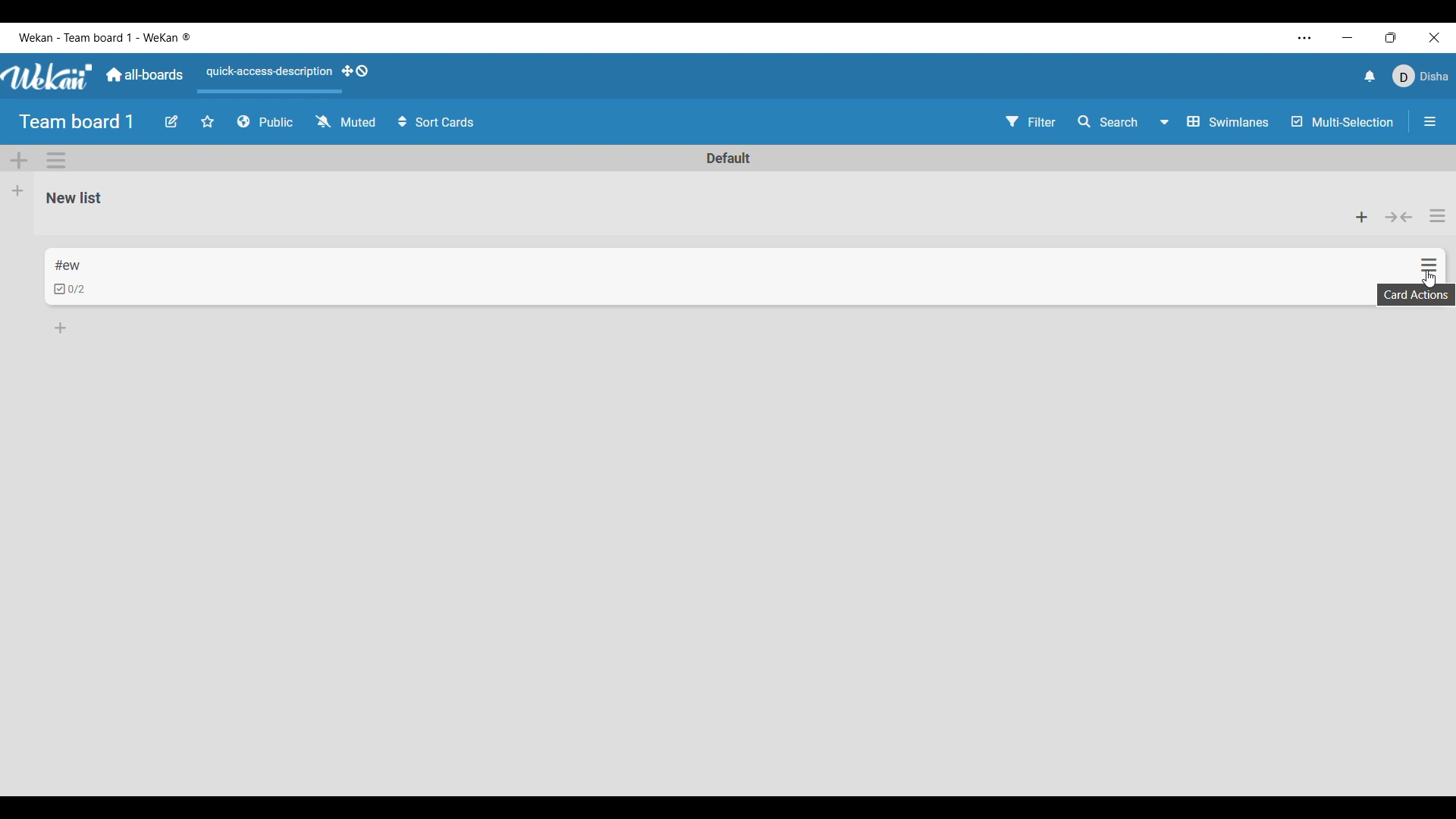 Image resolution: width=1456 pixels, height=819 pixels. Describe the element at coordinates (345, 121) in the screenshot. I see `Change watch options` at that location.